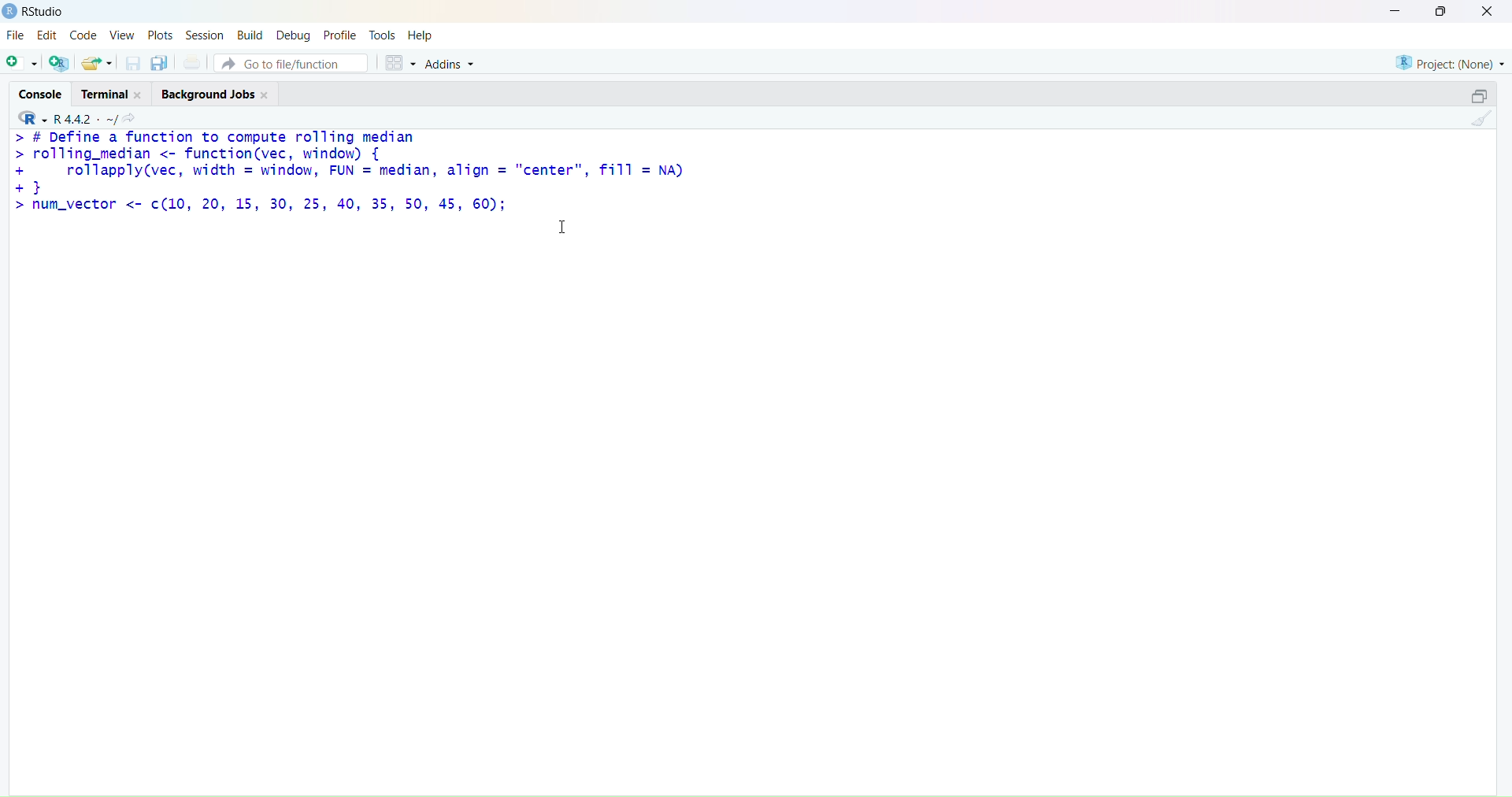 Image resolution: width=1512 pixels, height=797 pixels. I want to click on help, so click(422, 36).